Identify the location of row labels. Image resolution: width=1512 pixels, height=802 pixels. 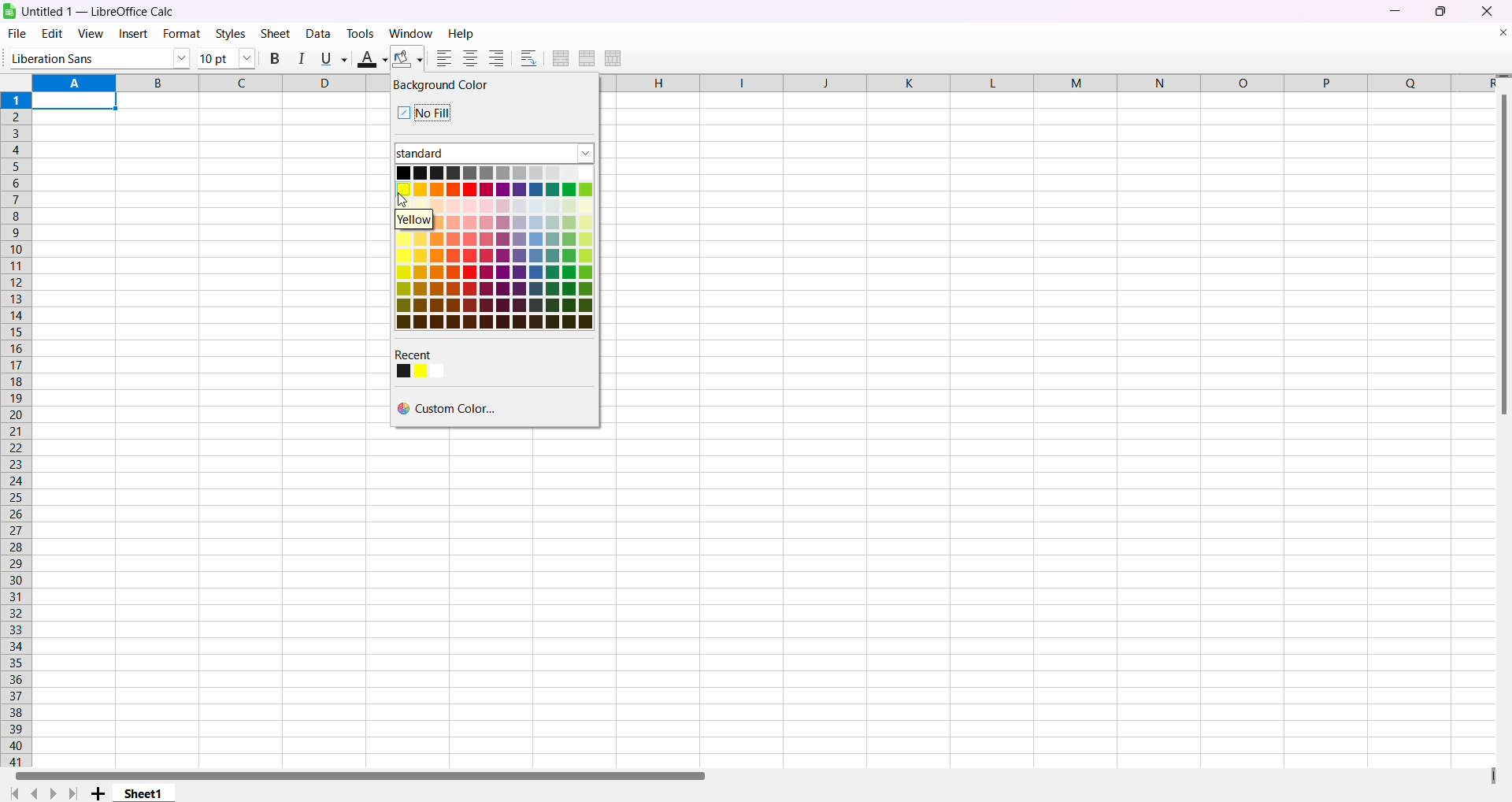
(14, 427).